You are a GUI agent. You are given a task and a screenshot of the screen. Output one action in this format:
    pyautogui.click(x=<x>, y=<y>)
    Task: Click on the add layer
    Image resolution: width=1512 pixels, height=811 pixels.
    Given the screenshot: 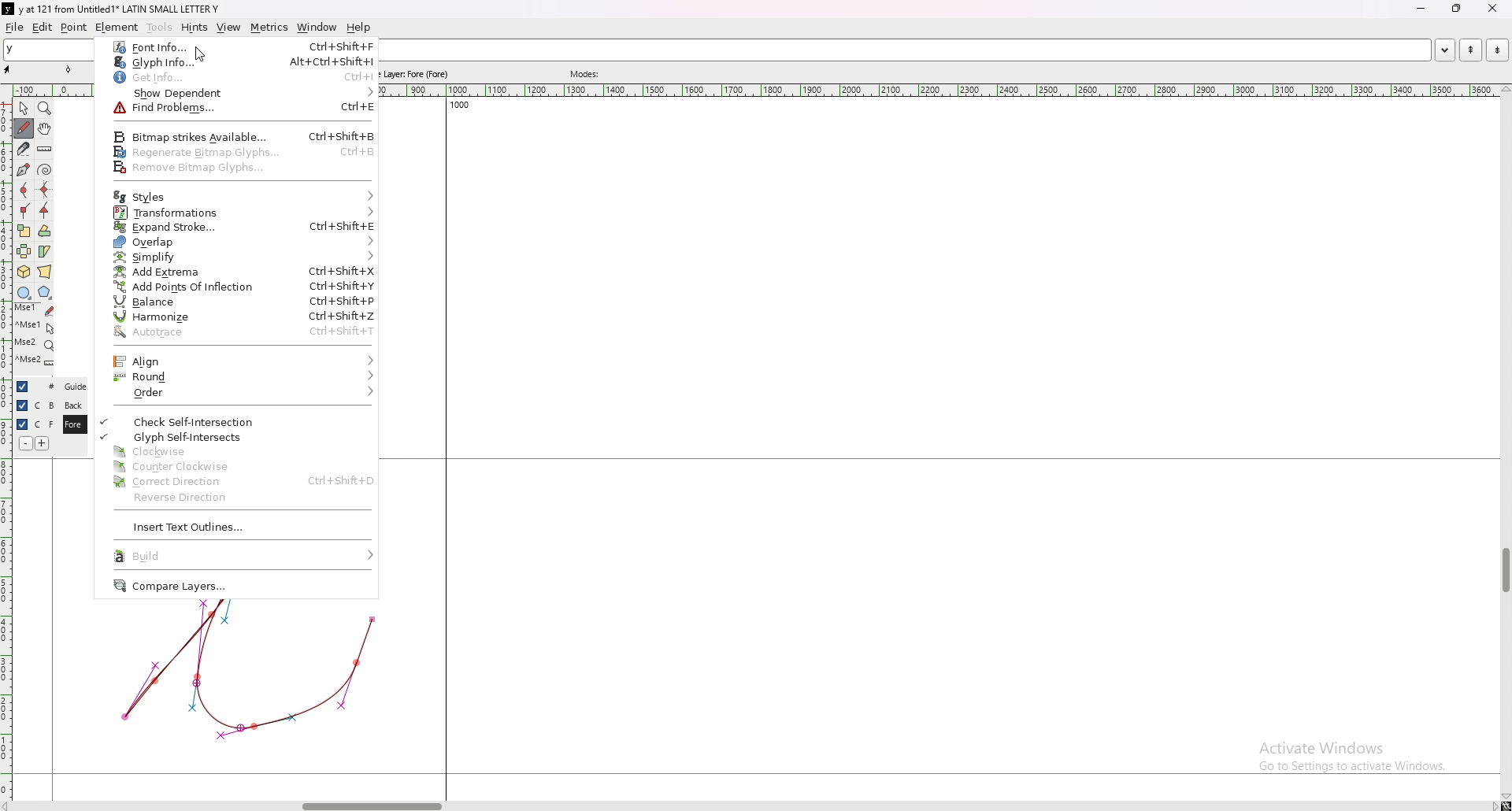 What is the action you would take?
    pyautogui.click(x=43, y=443)
    